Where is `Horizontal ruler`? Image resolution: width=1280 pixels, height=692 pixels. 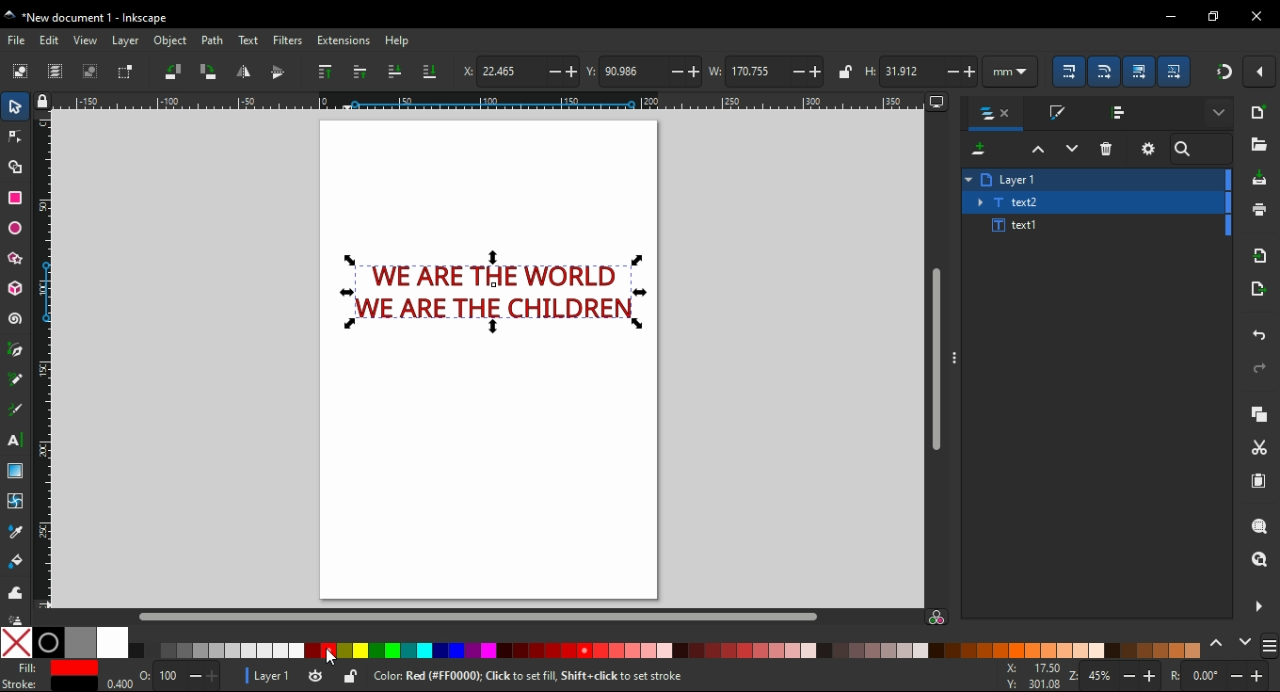
Horizontal ruler is located at coordinates (490, 102).